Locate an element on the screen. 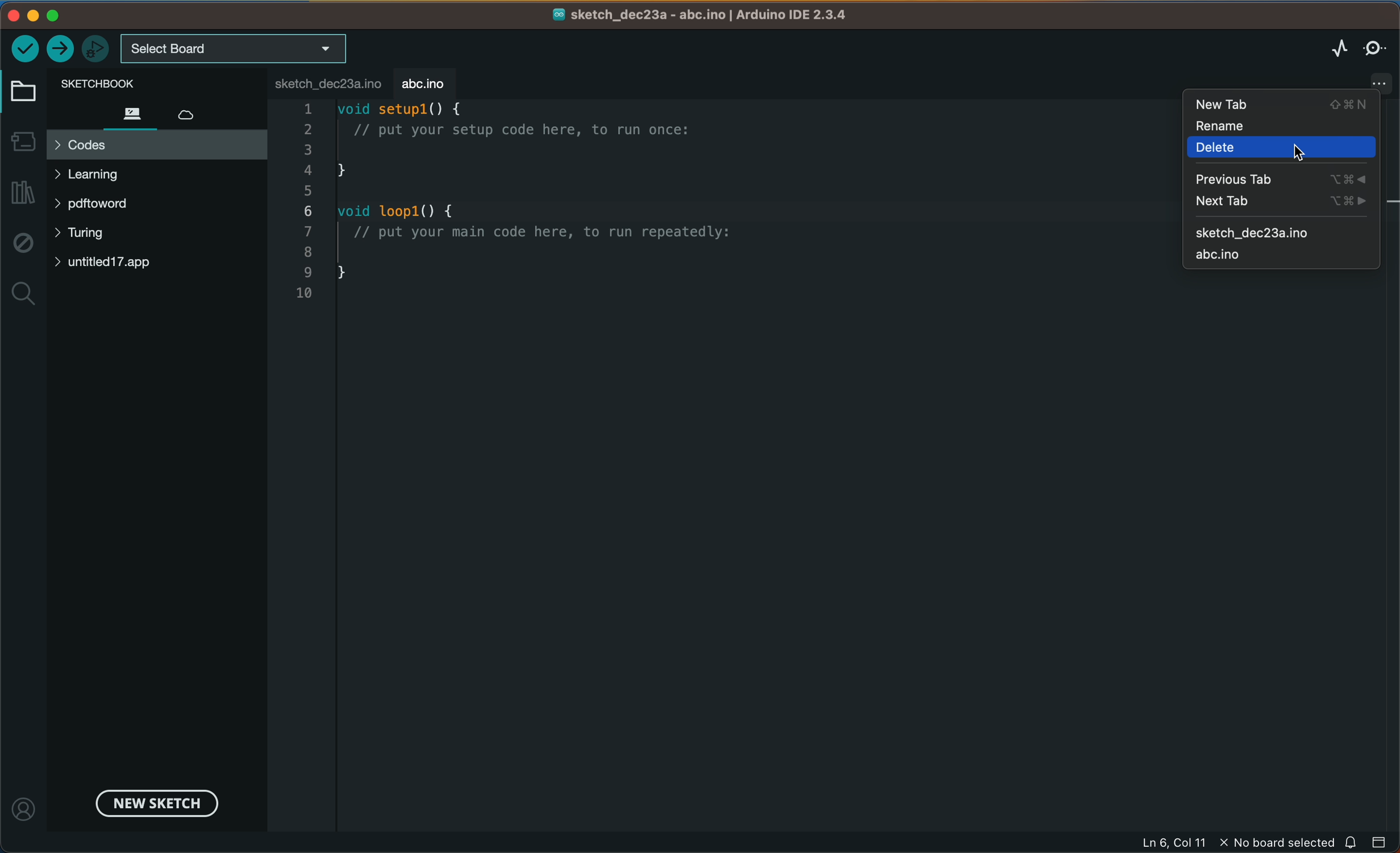 The width and height of the screenshot is (1400, 853). previous tab is located at coordinates (1277, 178).